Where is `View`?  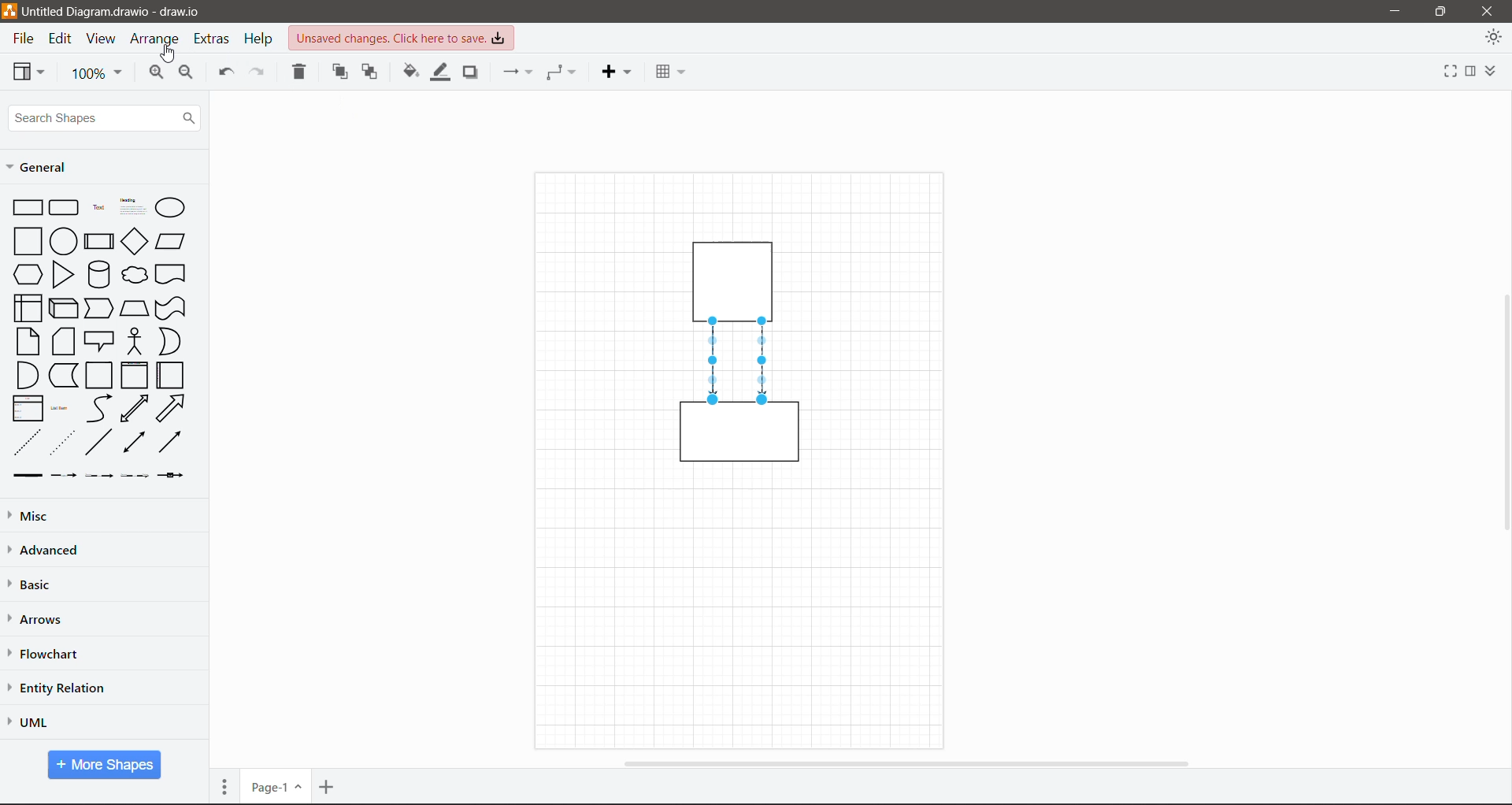
View is located at coordinates (101, 39).